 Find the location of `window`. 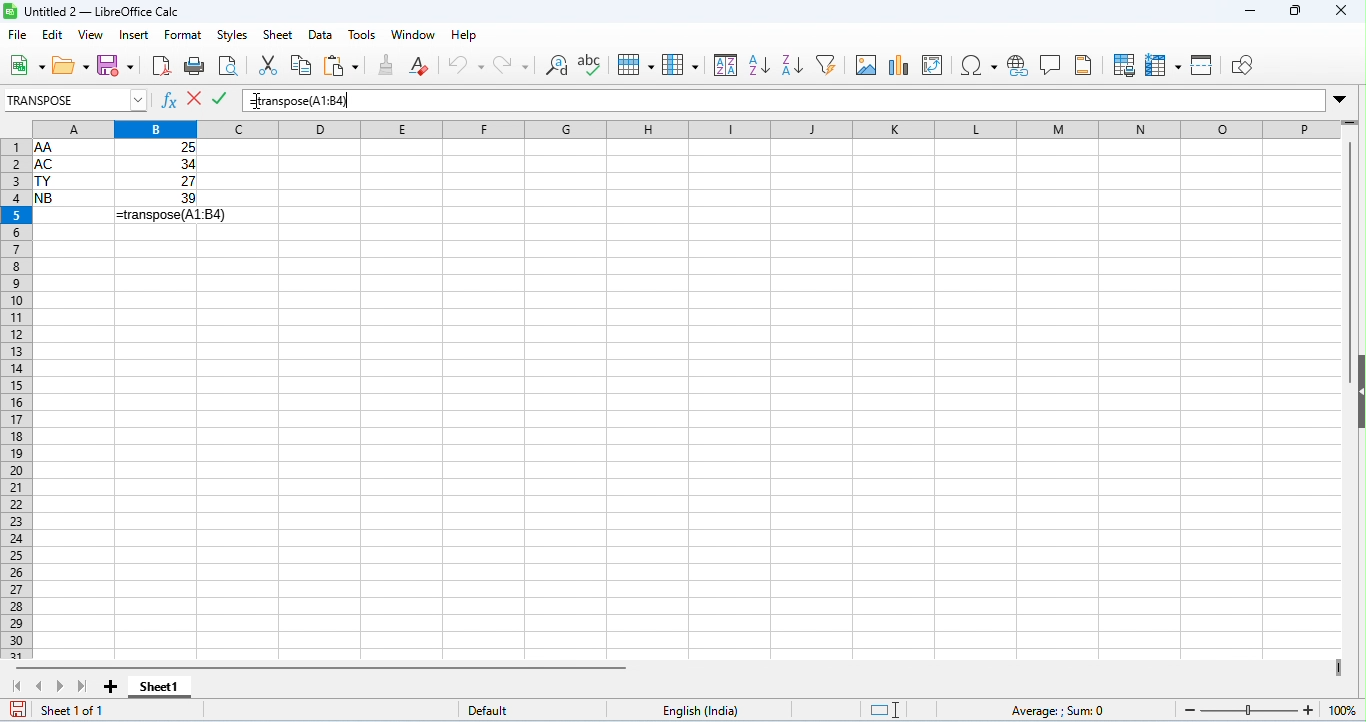

window is located at coordinates (416, 35).